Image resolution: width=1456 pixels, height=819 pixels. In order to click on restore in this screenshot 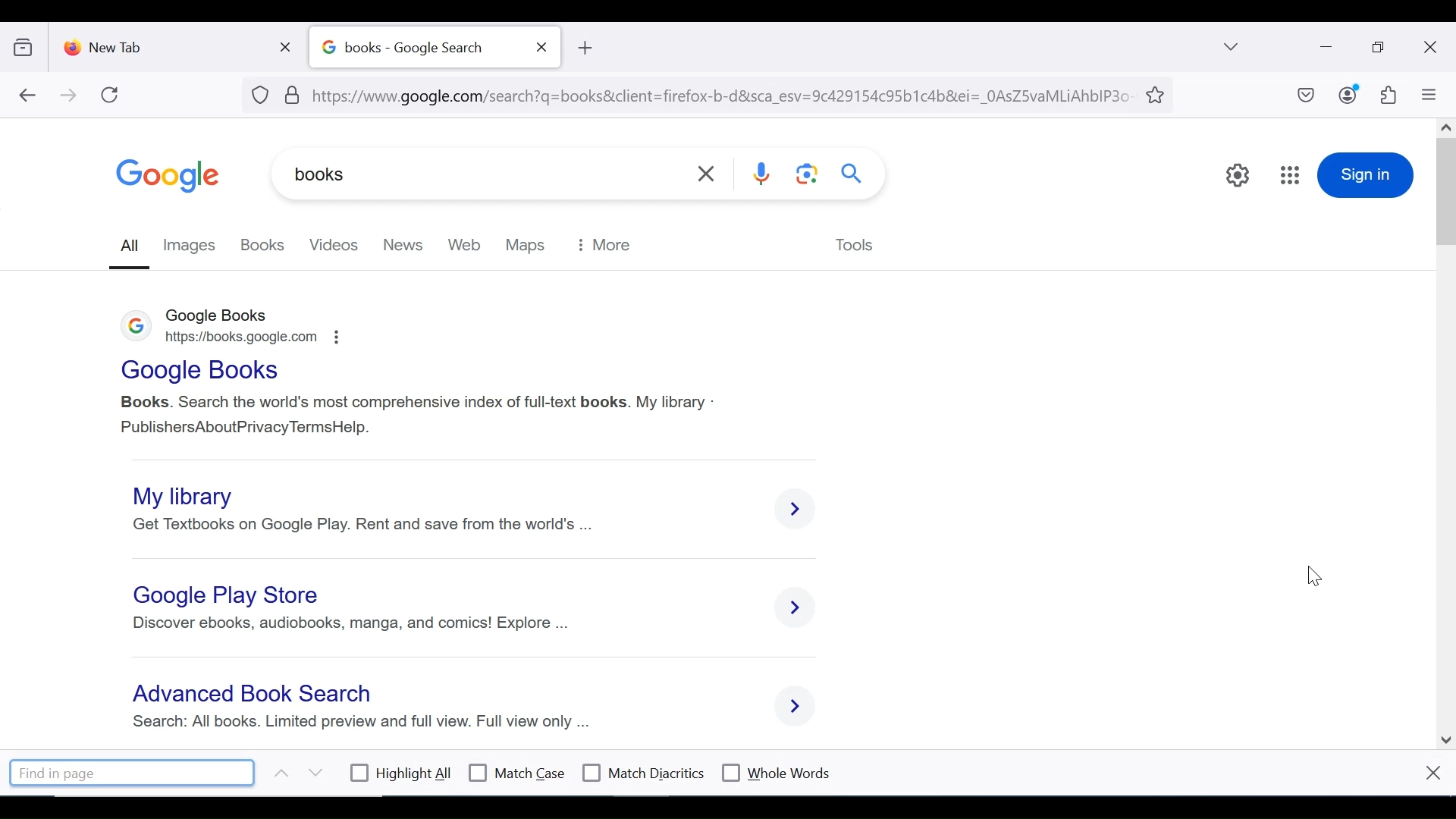, I will do `click(1380, 48)`.